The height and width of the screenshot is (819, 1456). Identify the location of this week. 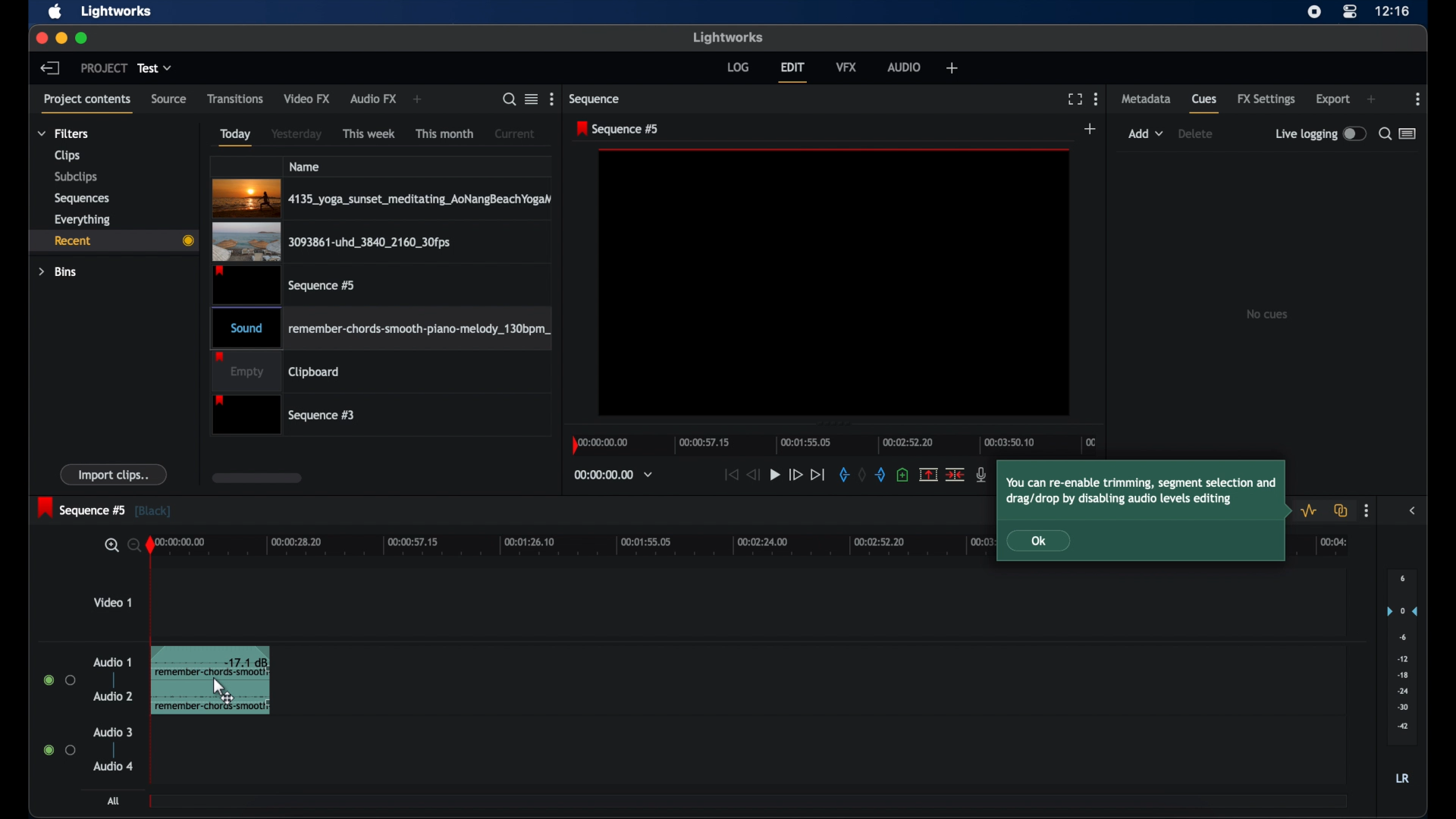
(370, 133).